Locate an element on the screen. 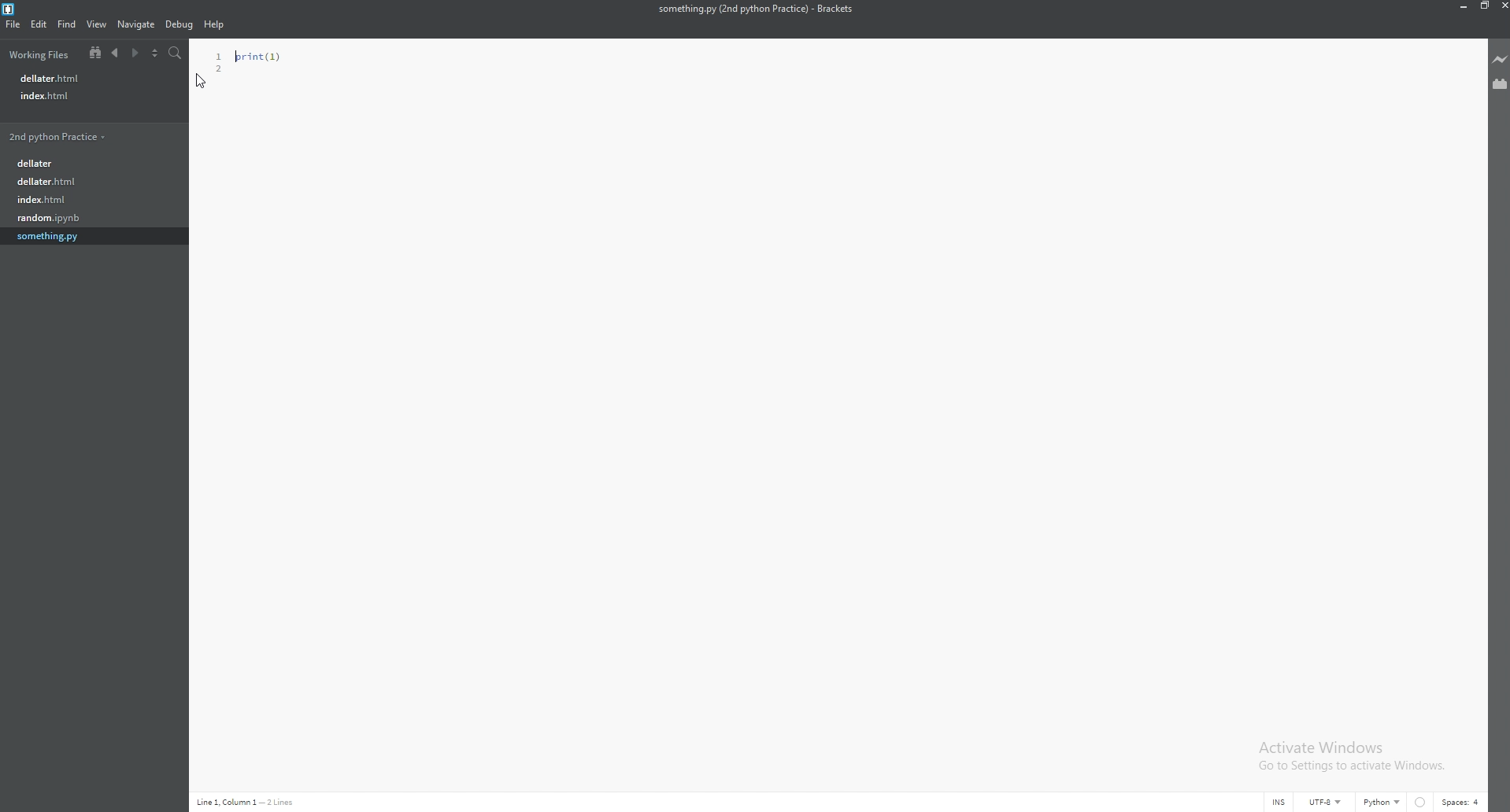  debug is located at coordinates (179, 25).